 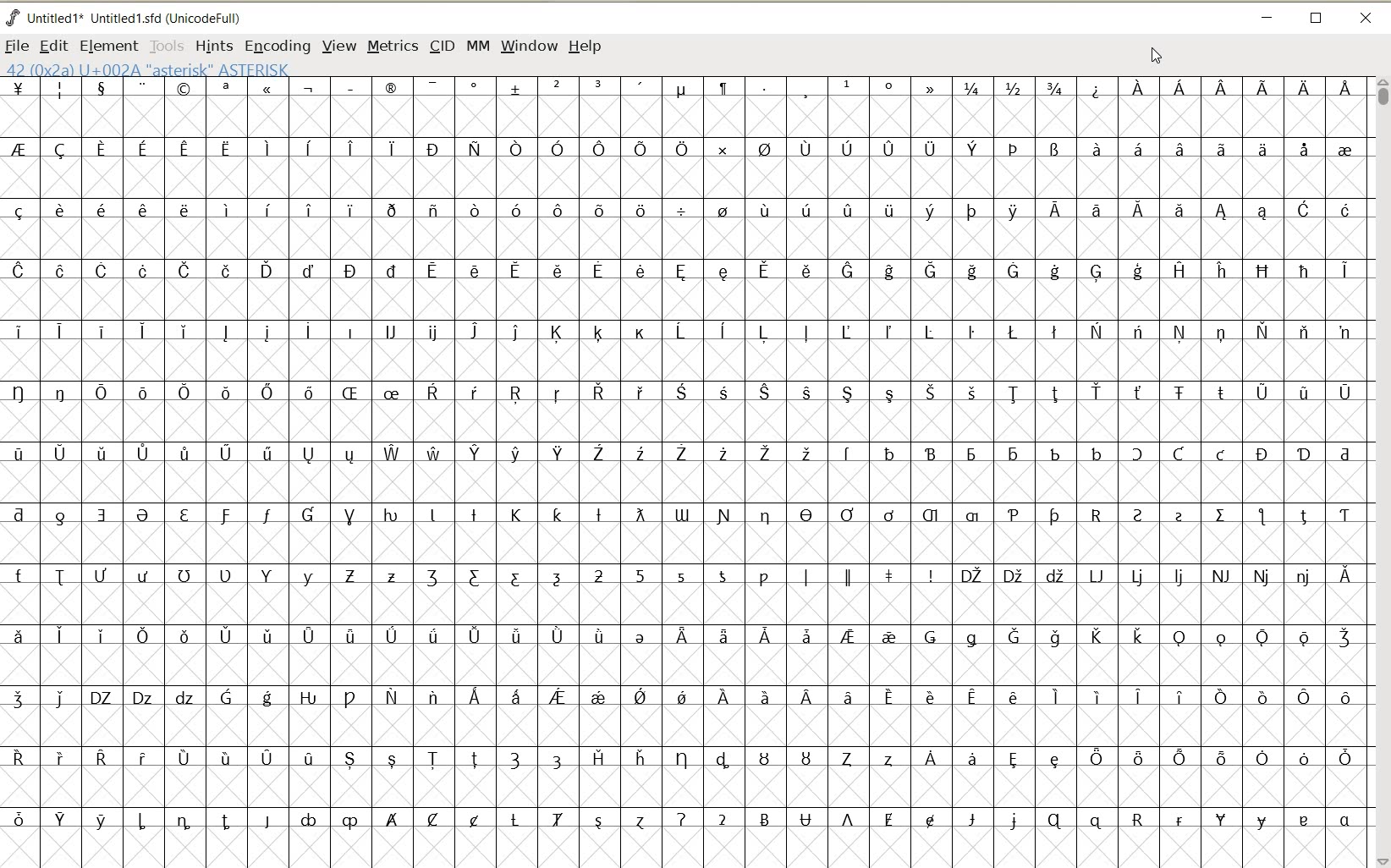 I want to click on WINDOW, so click(x=528, y=47).